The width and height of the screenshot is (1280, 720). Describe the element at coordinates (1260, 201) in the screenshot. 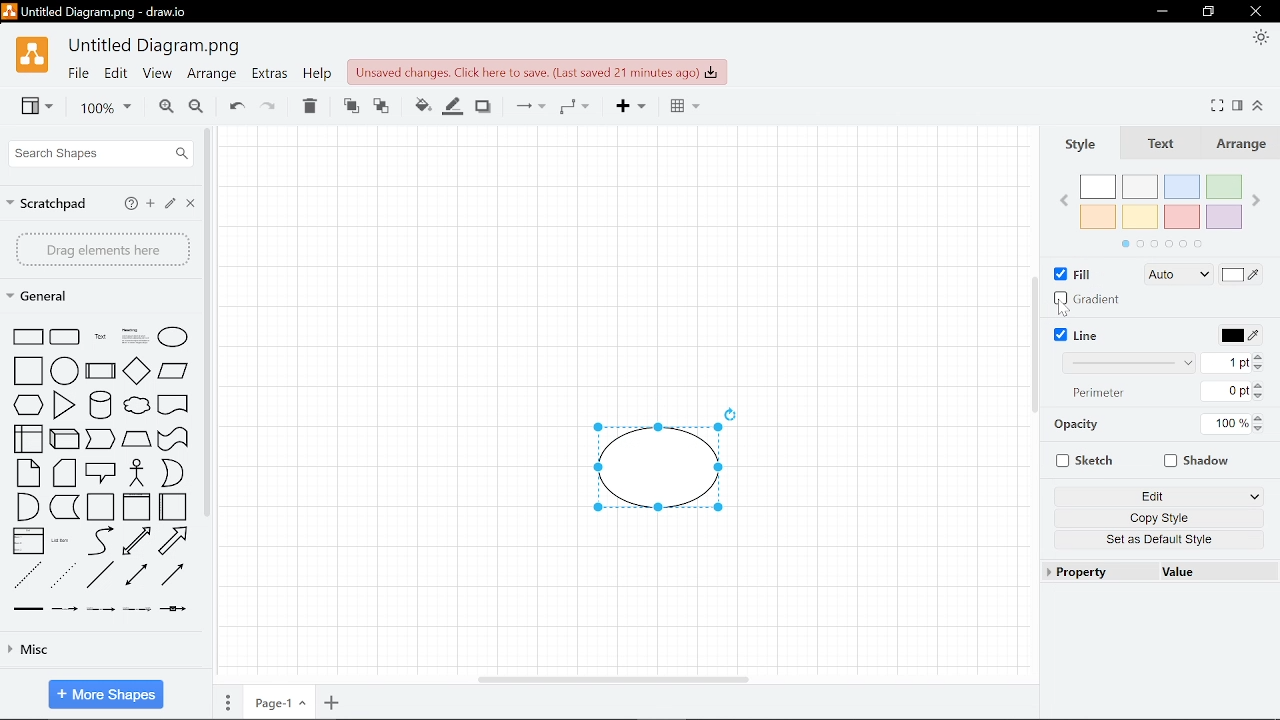

I see `Next Color palette` at that location.